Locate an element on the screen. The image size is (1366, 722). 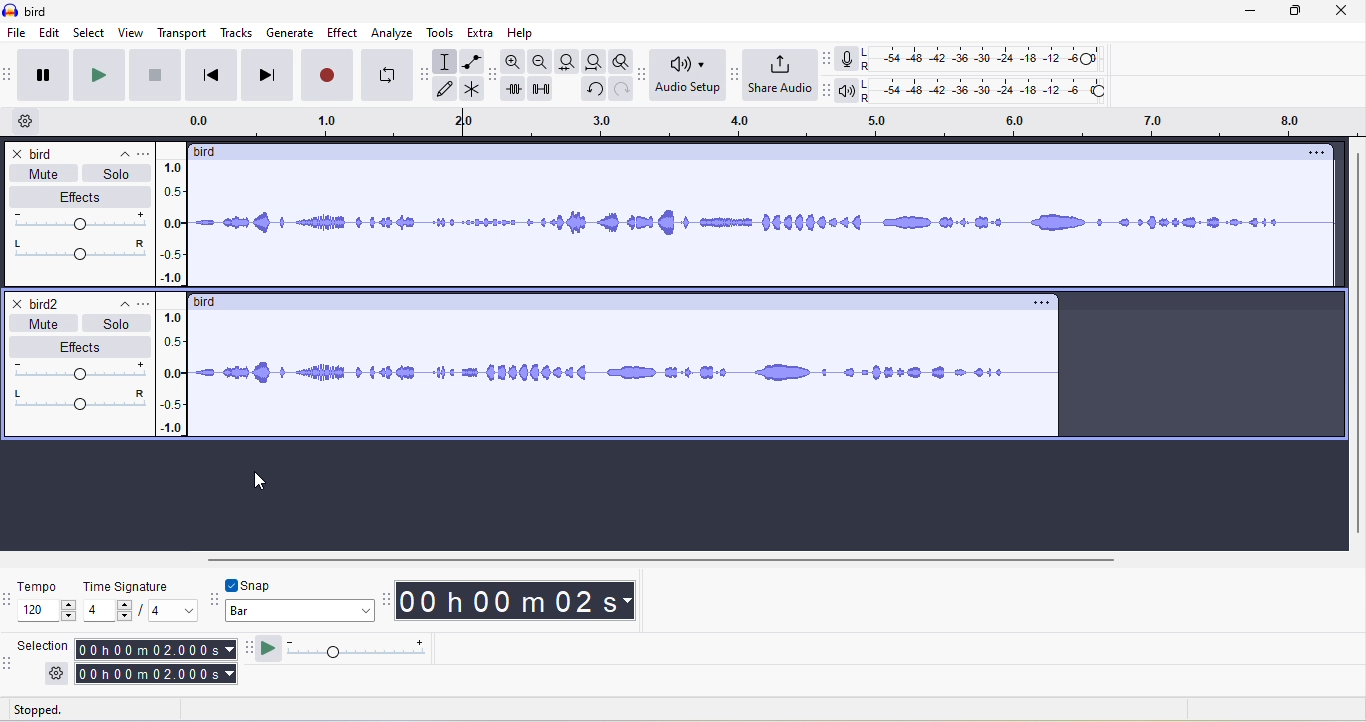
trim audio outside selection is located at coordinates (516, 91).